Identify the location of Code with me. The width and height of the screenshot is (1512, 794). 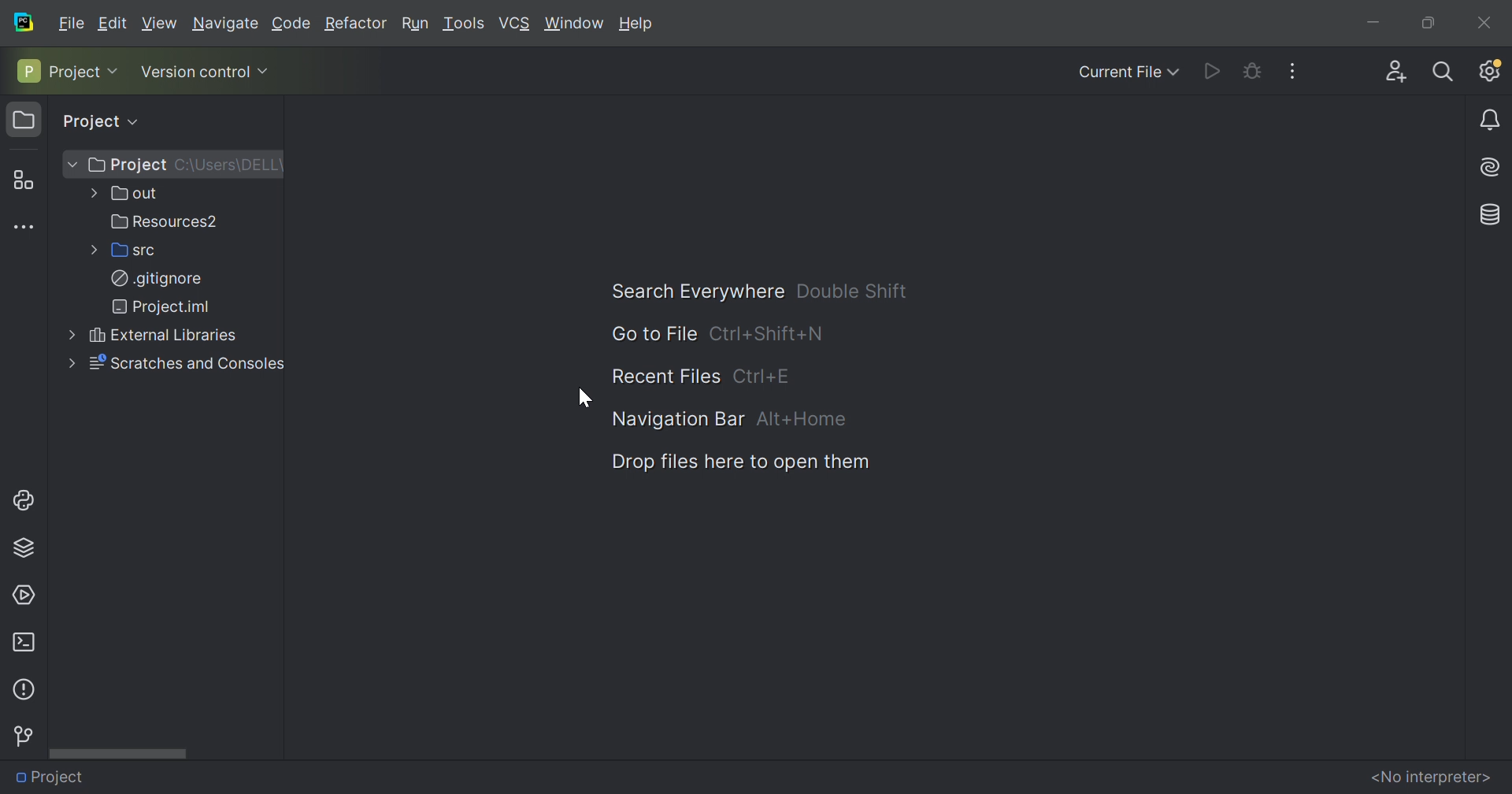
(1392, 67).